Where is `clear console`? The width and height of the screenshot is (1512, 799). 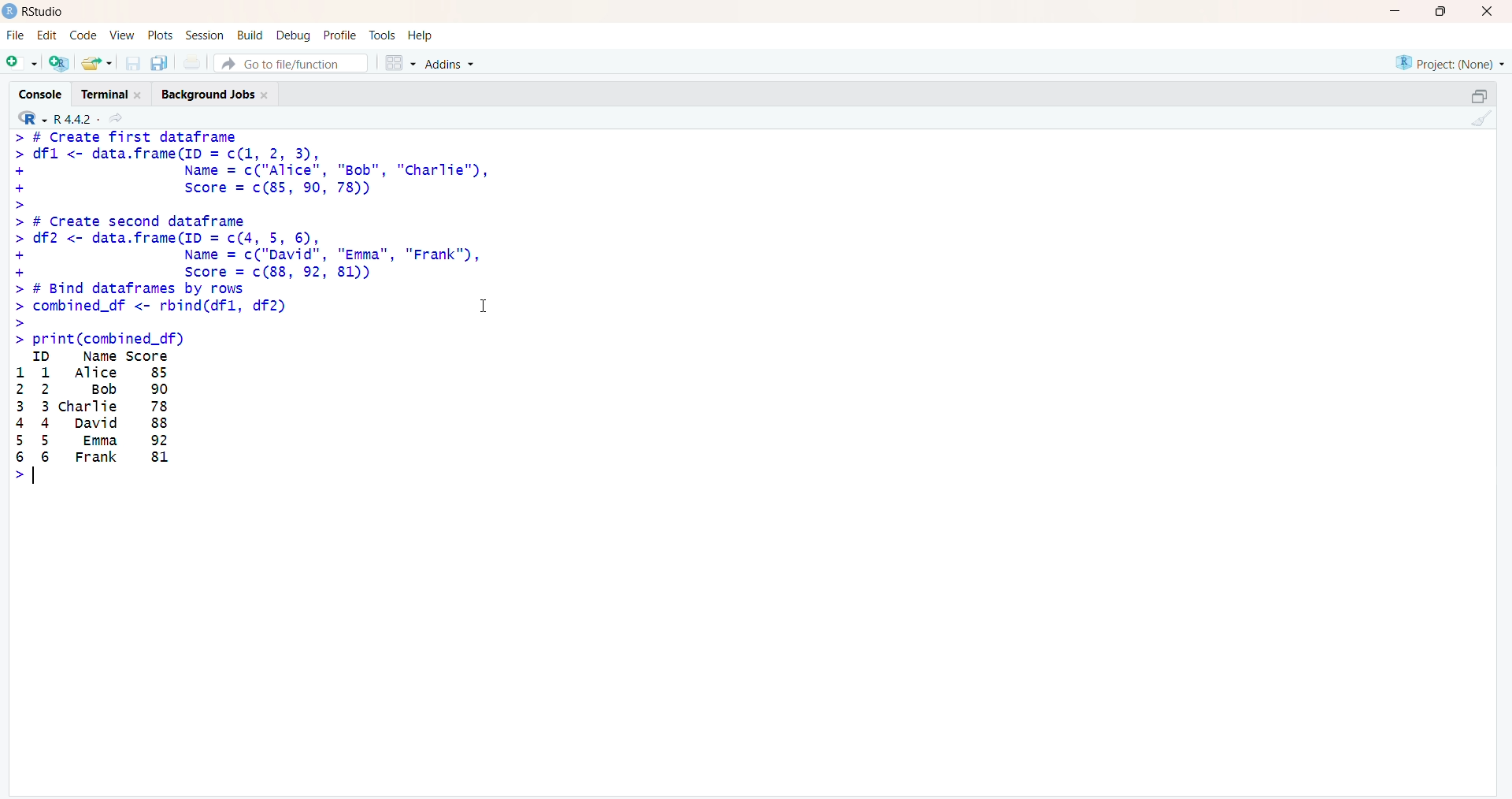
clear console is located at coordinates (1477, 118).